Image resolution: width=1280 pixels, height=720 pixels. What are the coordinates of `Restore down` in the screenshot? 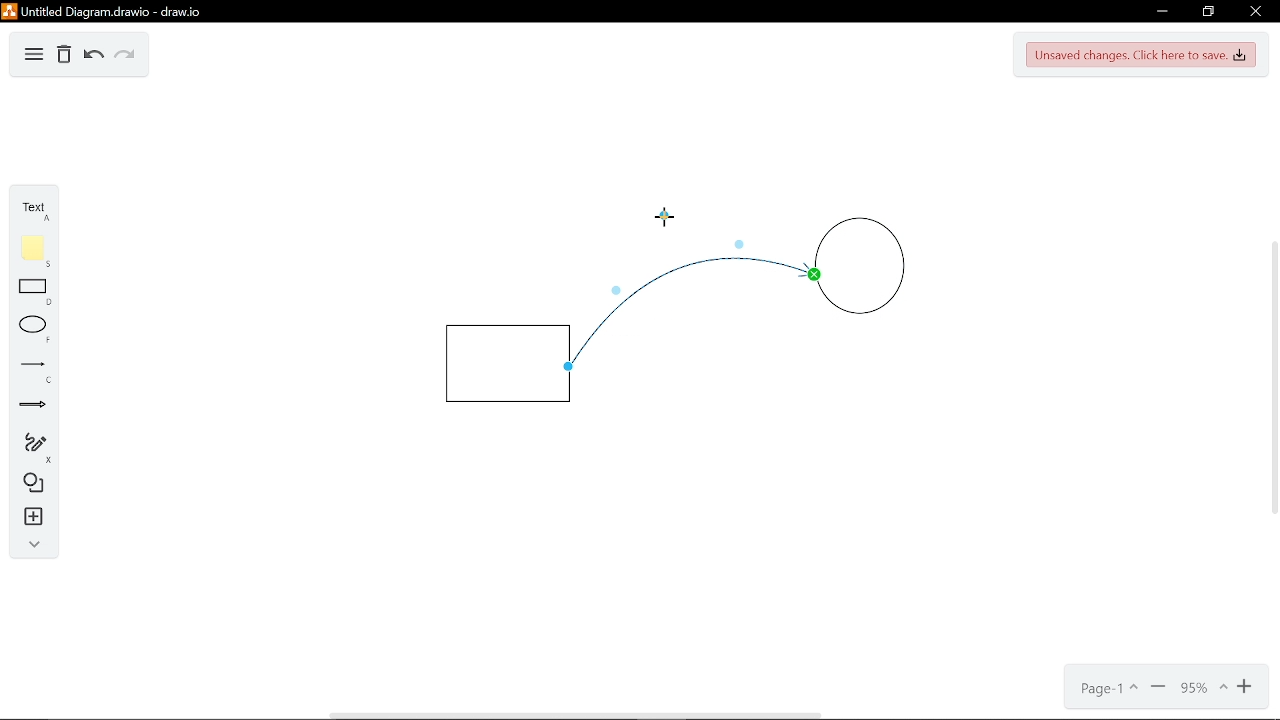 It's located at (1210, 12).